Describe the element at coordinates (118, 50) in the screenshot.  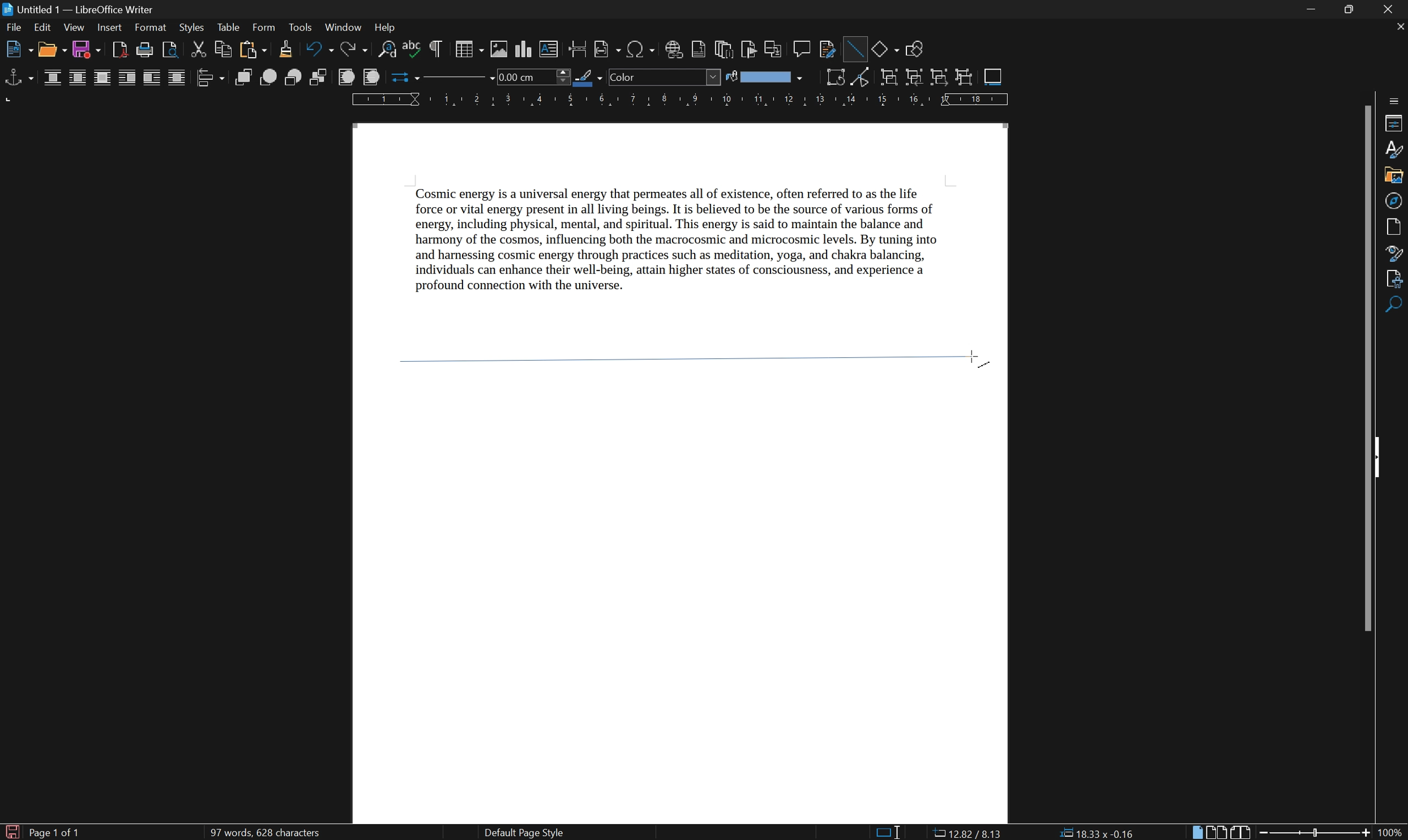
I see `export directly as PDF` at that location.